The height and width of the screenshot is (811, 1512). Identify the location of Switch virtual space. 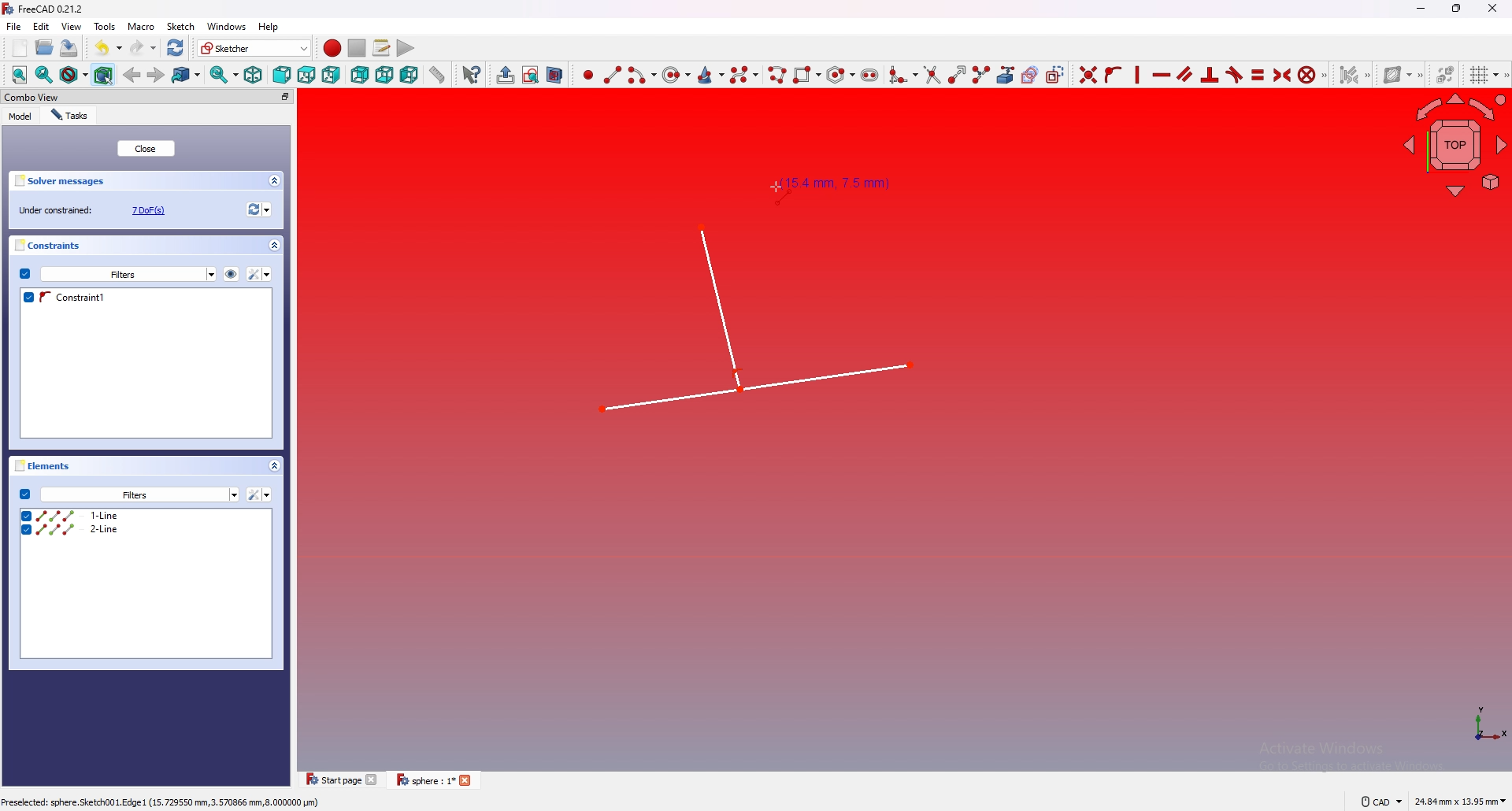
(1443, 75).